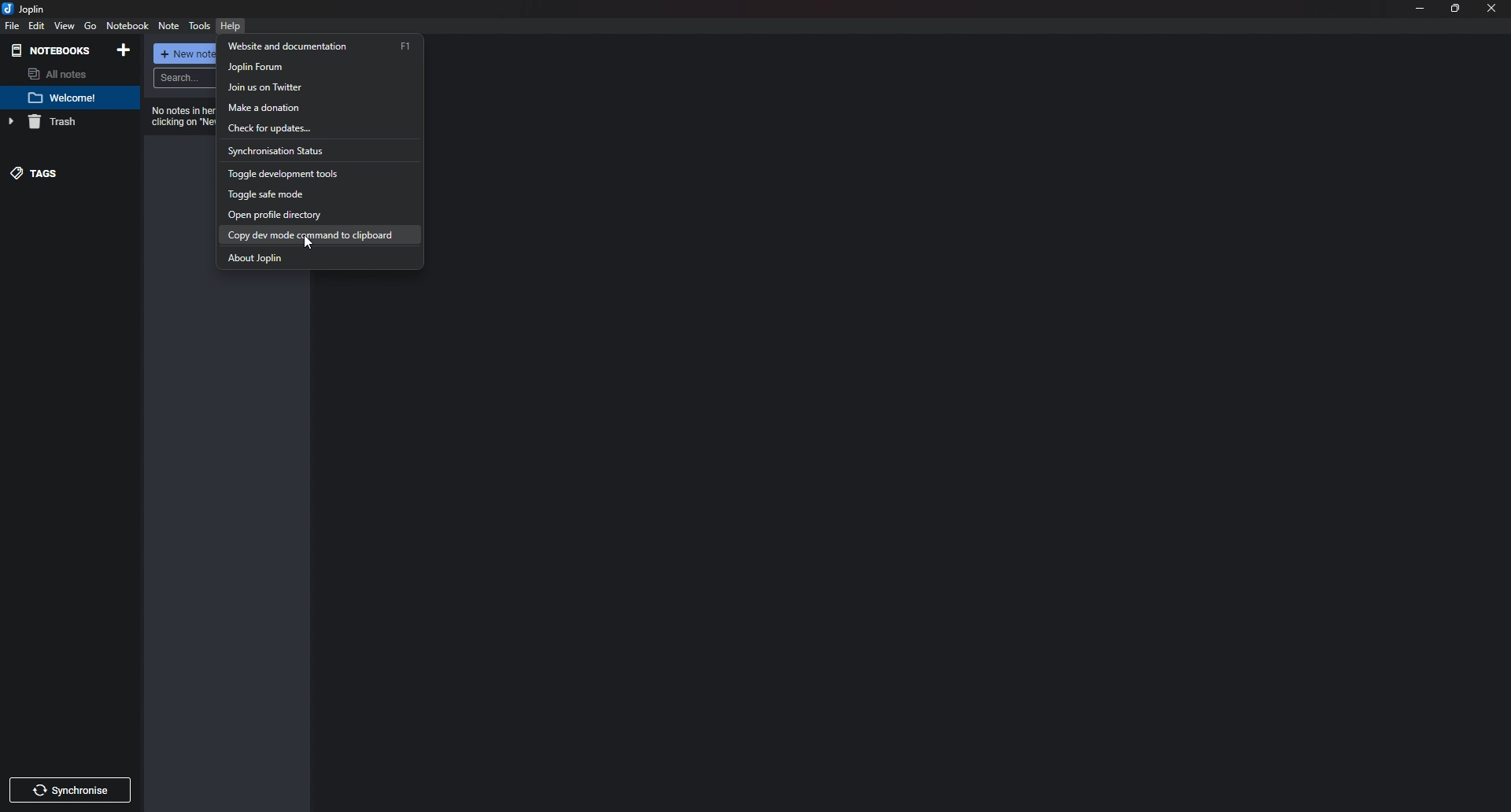  I want to click on Trash, so click(63, 122).